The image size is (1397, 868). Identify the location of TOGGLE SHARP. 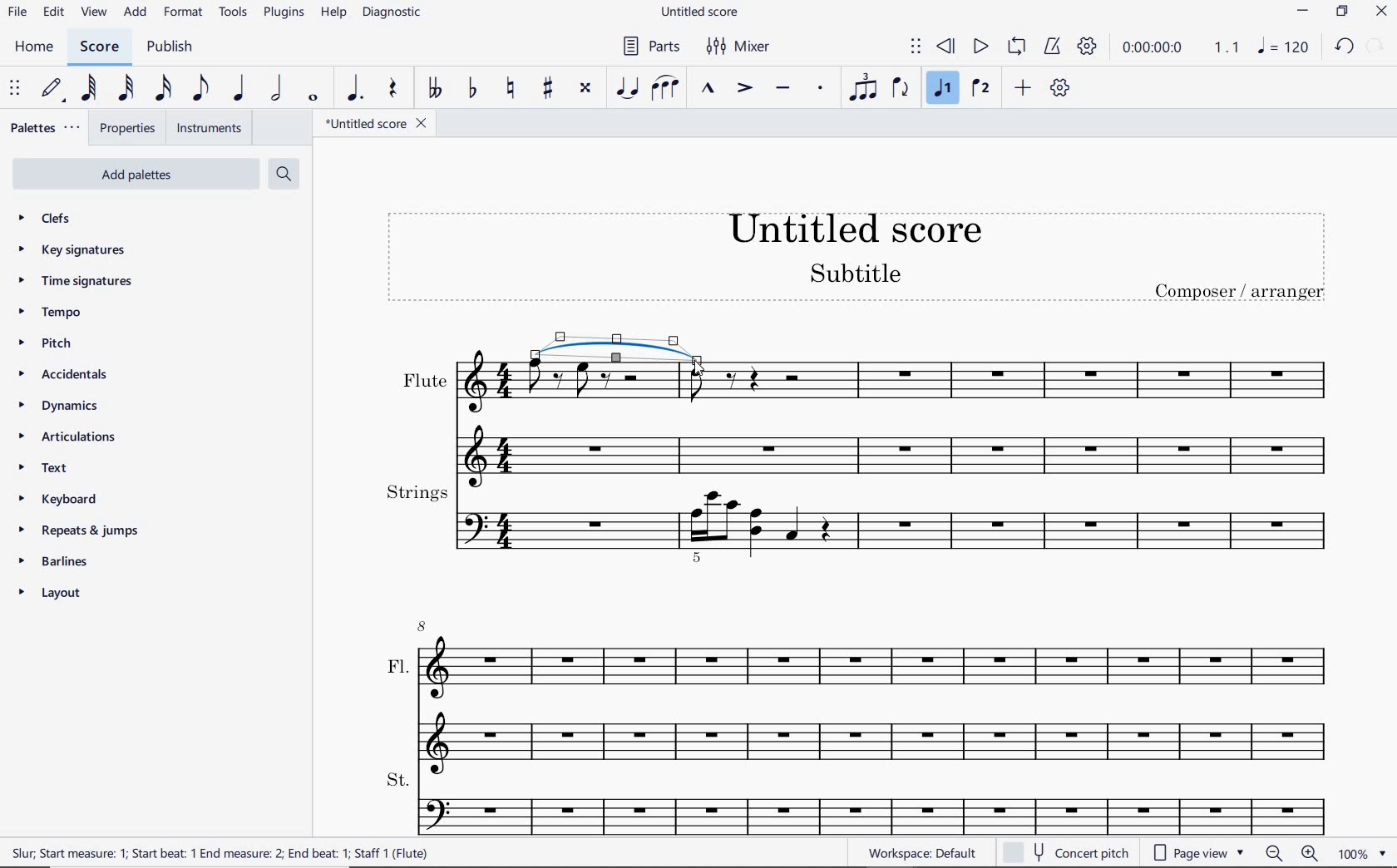
(545, 89).